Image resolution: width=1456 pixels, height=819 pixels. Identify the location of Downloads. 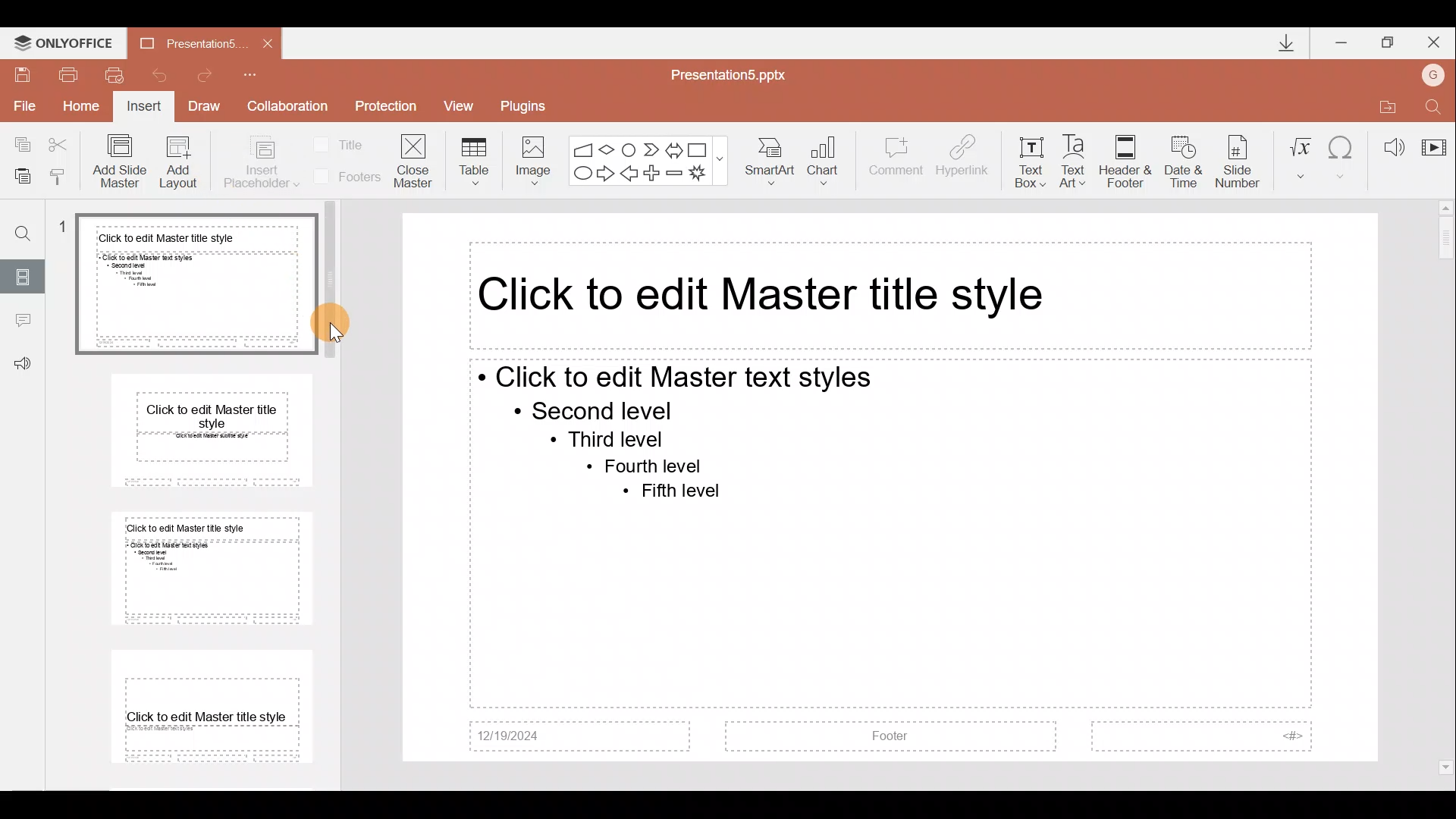
(1280, 42).